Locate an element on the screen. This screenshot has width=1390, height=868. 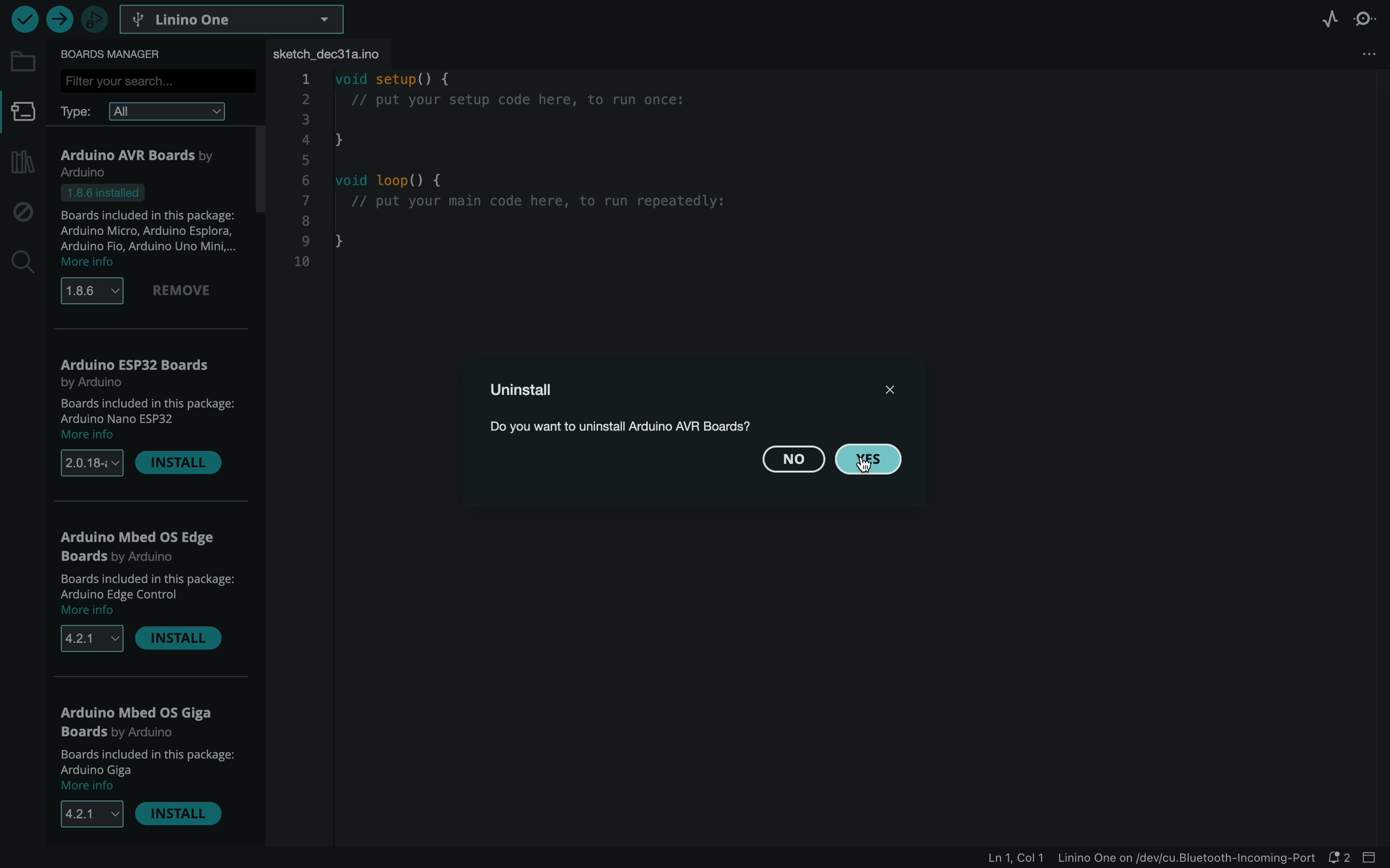
install is located at coordinates (179, 814).